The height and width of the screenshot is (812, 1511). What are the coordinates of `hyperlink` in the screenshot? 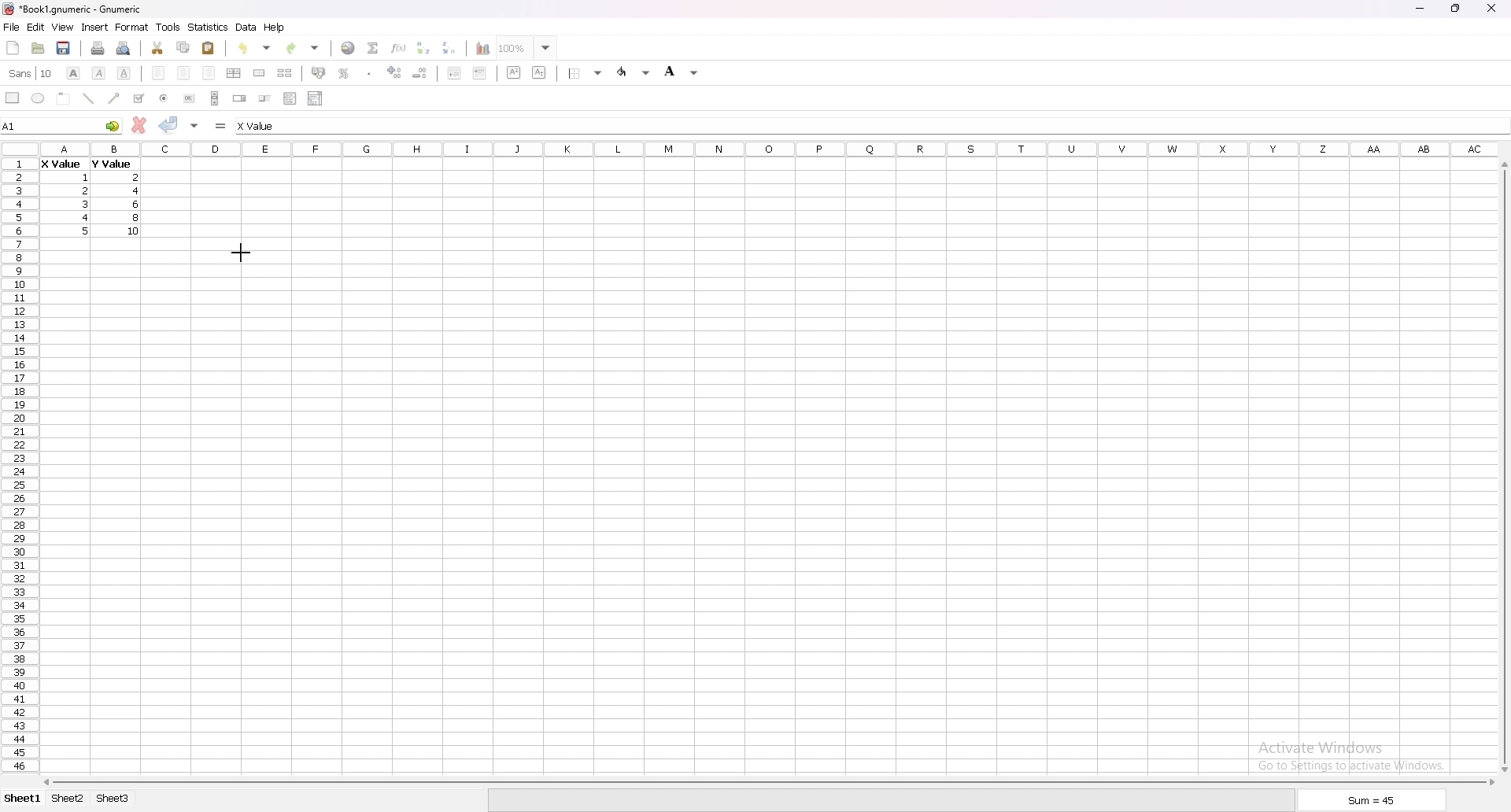 It's located at (348, 48).